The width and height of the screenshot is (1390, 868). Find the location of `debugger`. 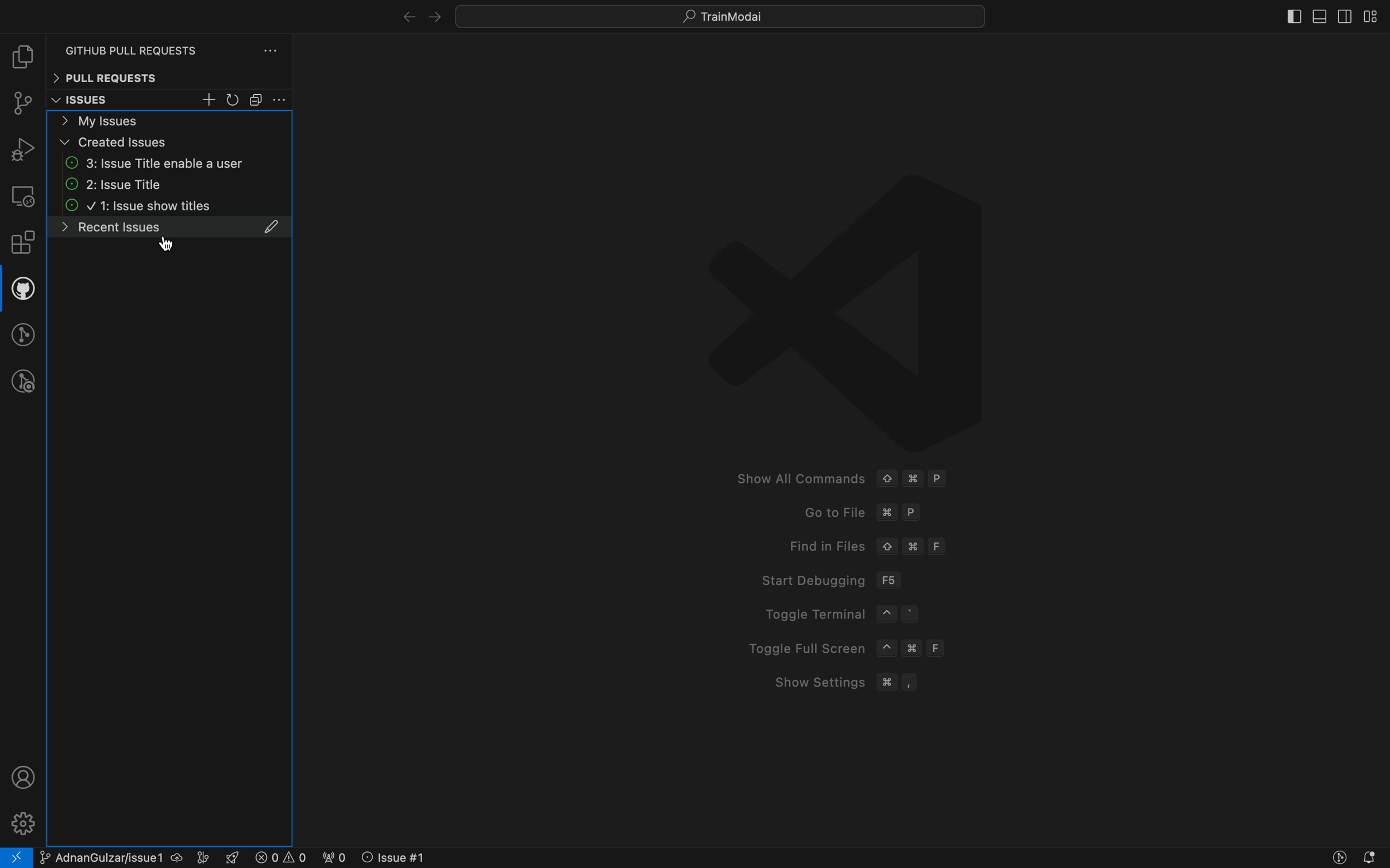

debugger is located at coordinates (22, 149).